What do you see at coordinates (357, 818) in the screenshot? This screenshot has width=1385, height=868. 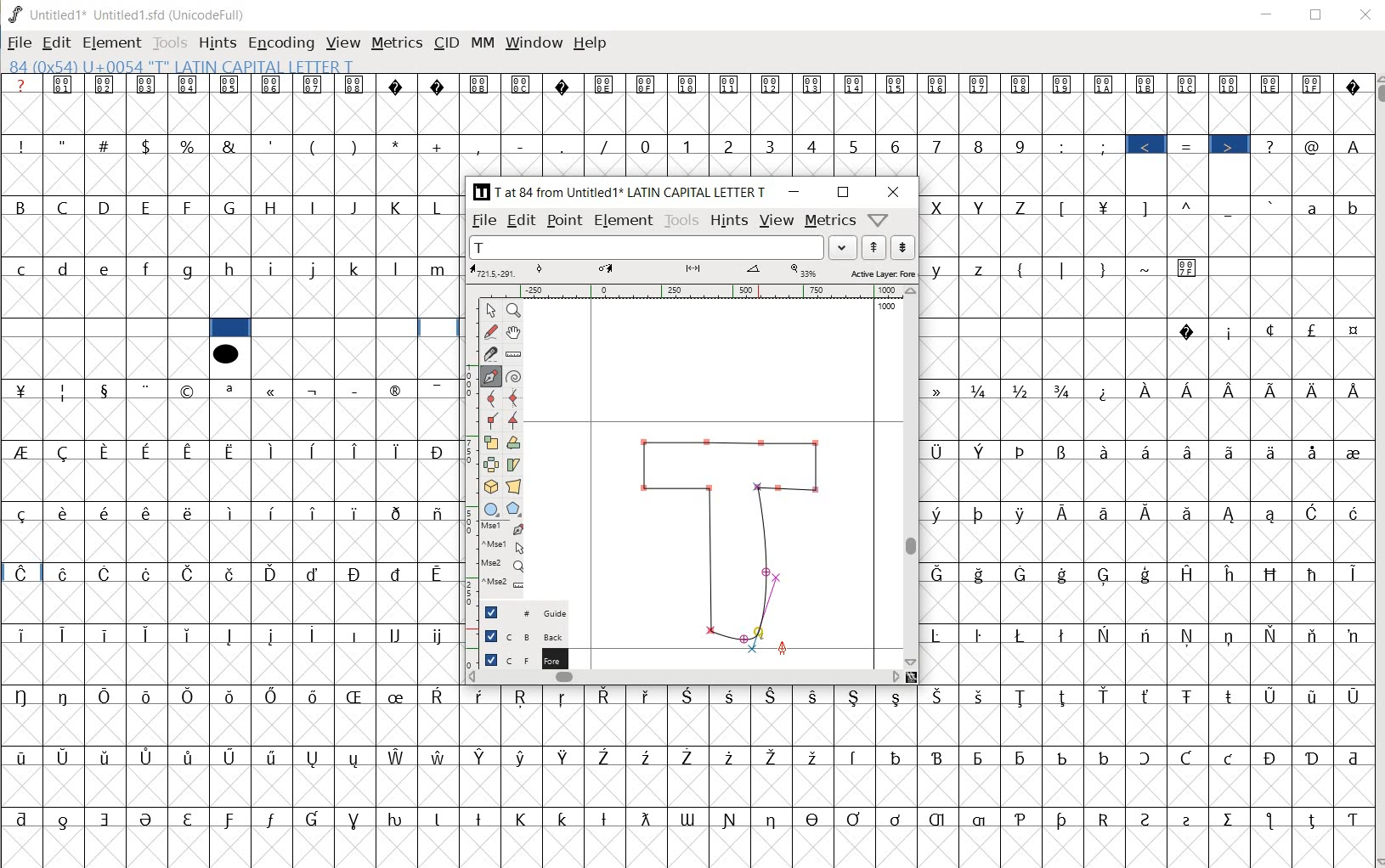 I see `Symbol` at bounding box center [357, 818].